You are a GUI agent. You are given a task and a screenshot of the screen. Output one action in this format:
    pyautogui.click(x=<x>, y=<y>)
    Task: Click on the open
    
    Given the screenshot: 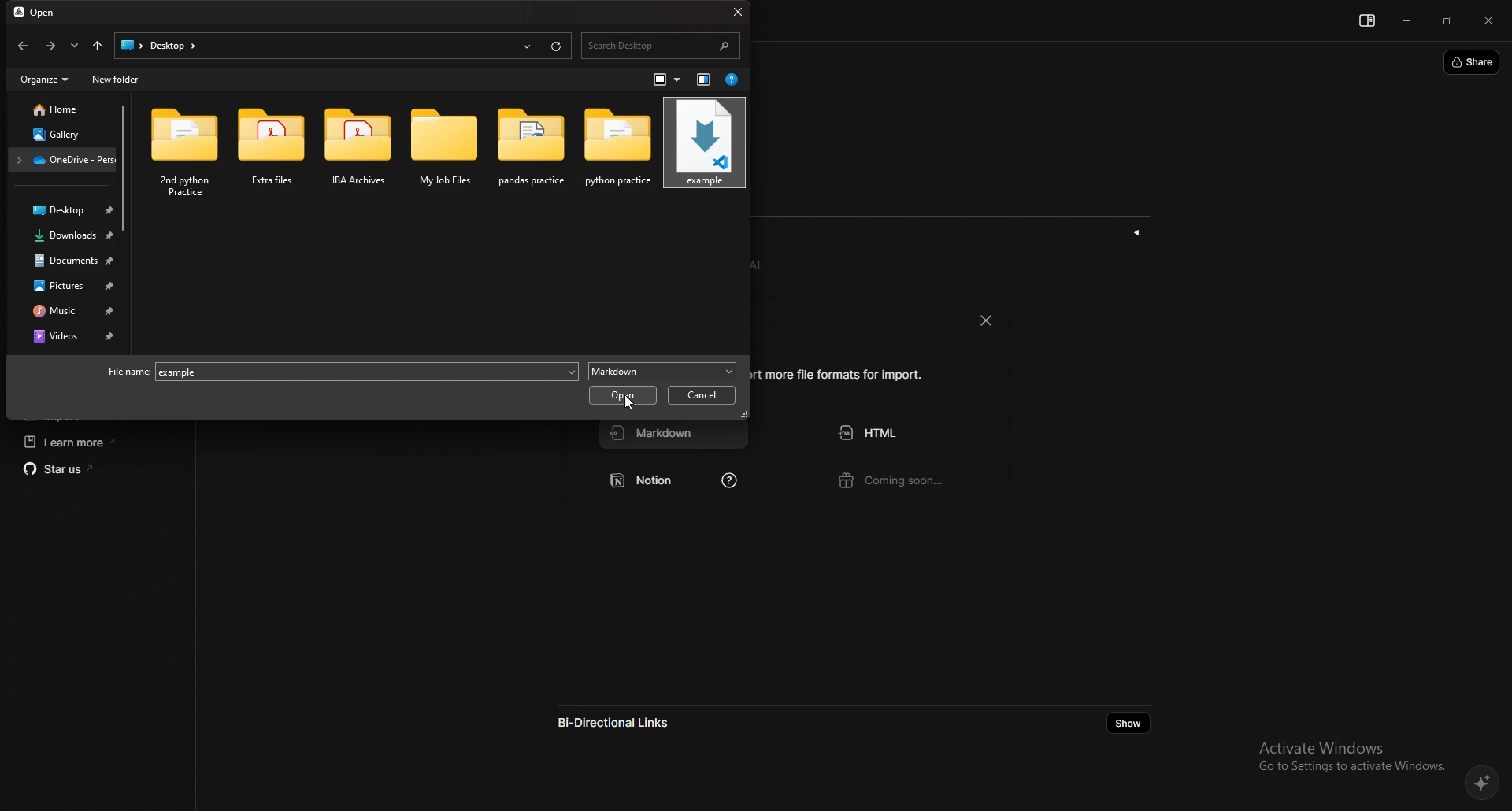 What is the action you would take?
    pyautogui.click(x=622, y=395)
    